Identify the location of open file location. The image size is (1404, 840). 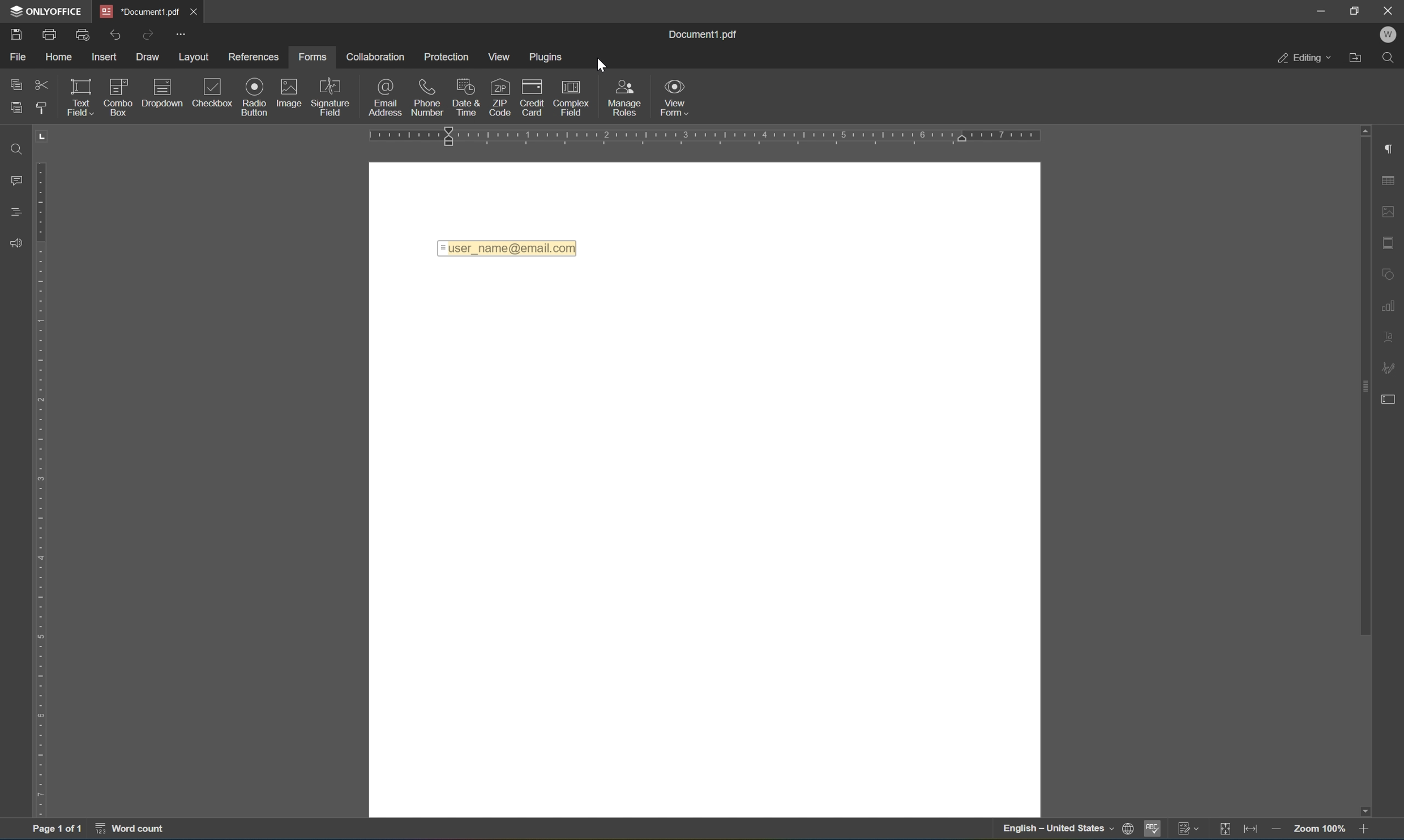
(1356, 59).